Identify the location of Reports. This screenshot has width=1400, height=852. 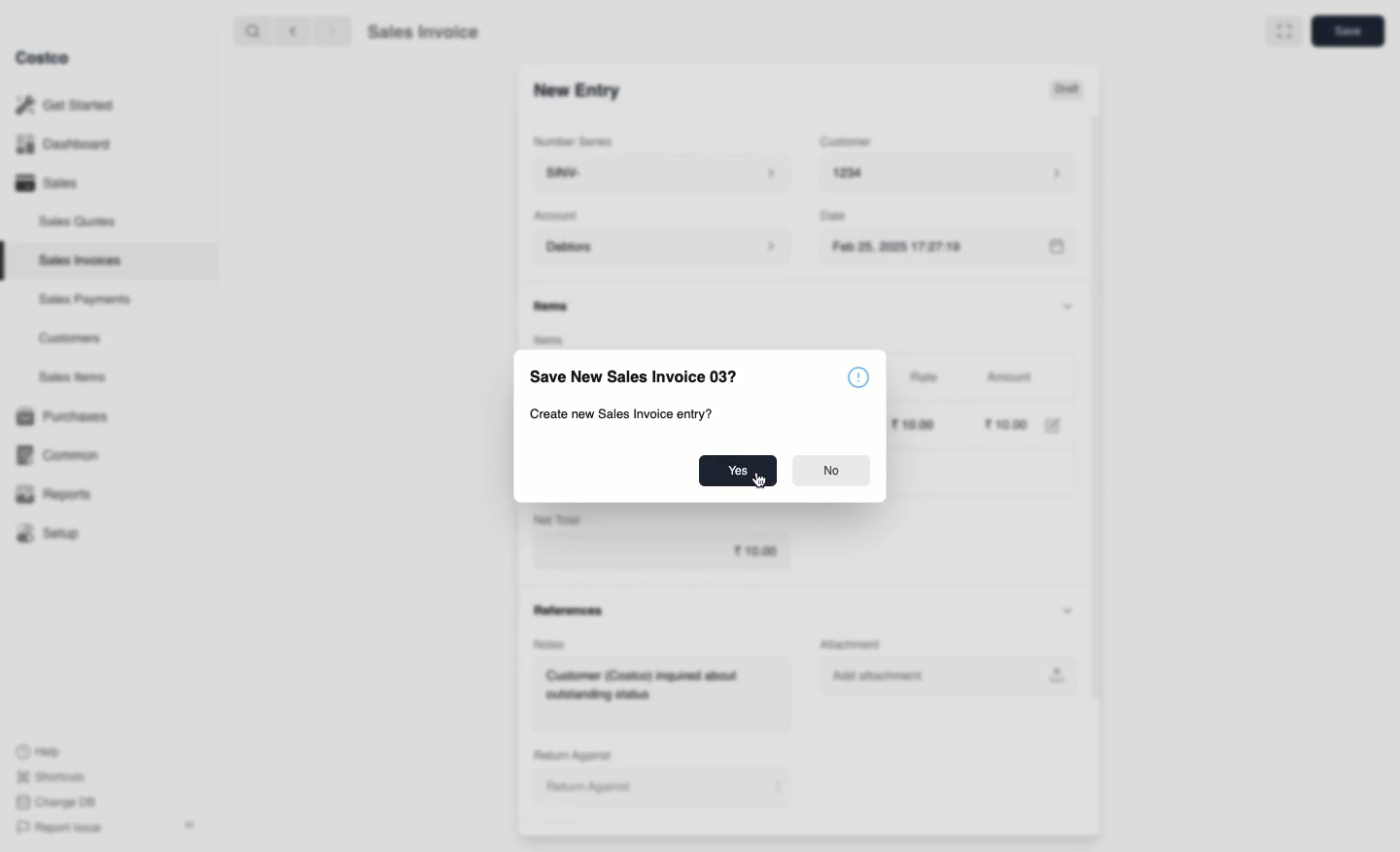
(53, 496).